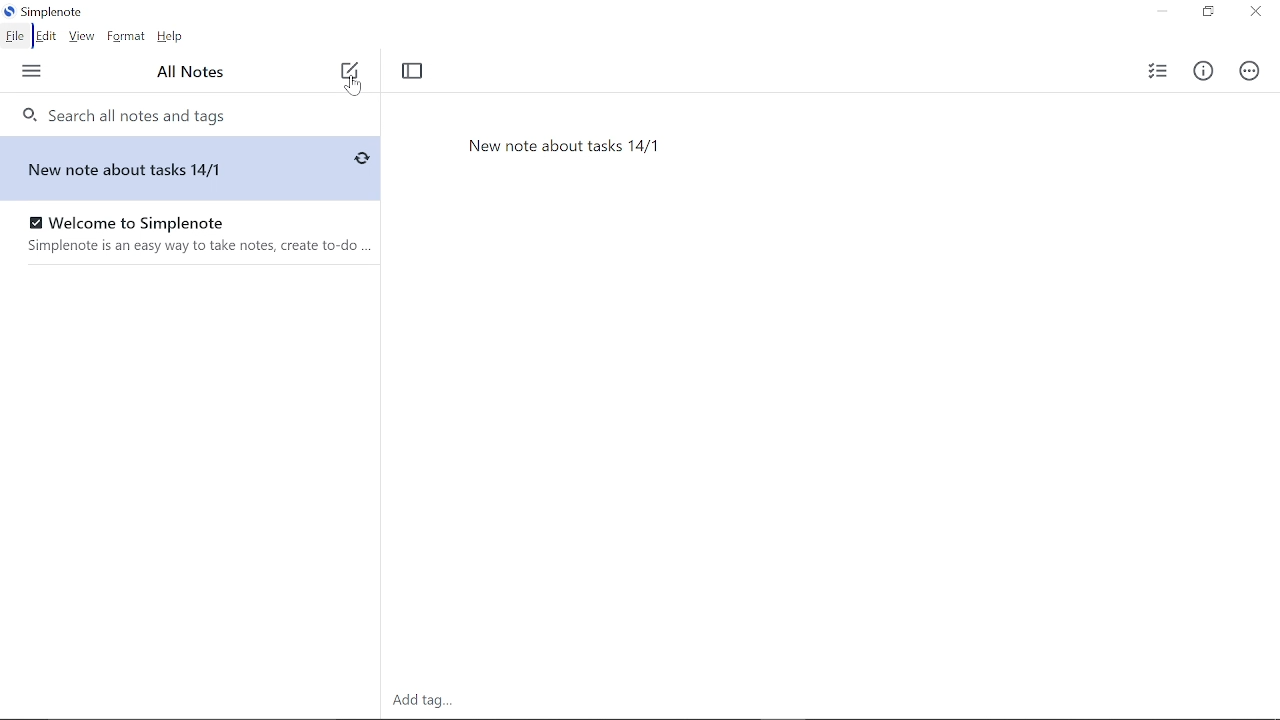  Describe the element at coordinates (349, 71) in the screenshot. I see `New note` at that location.